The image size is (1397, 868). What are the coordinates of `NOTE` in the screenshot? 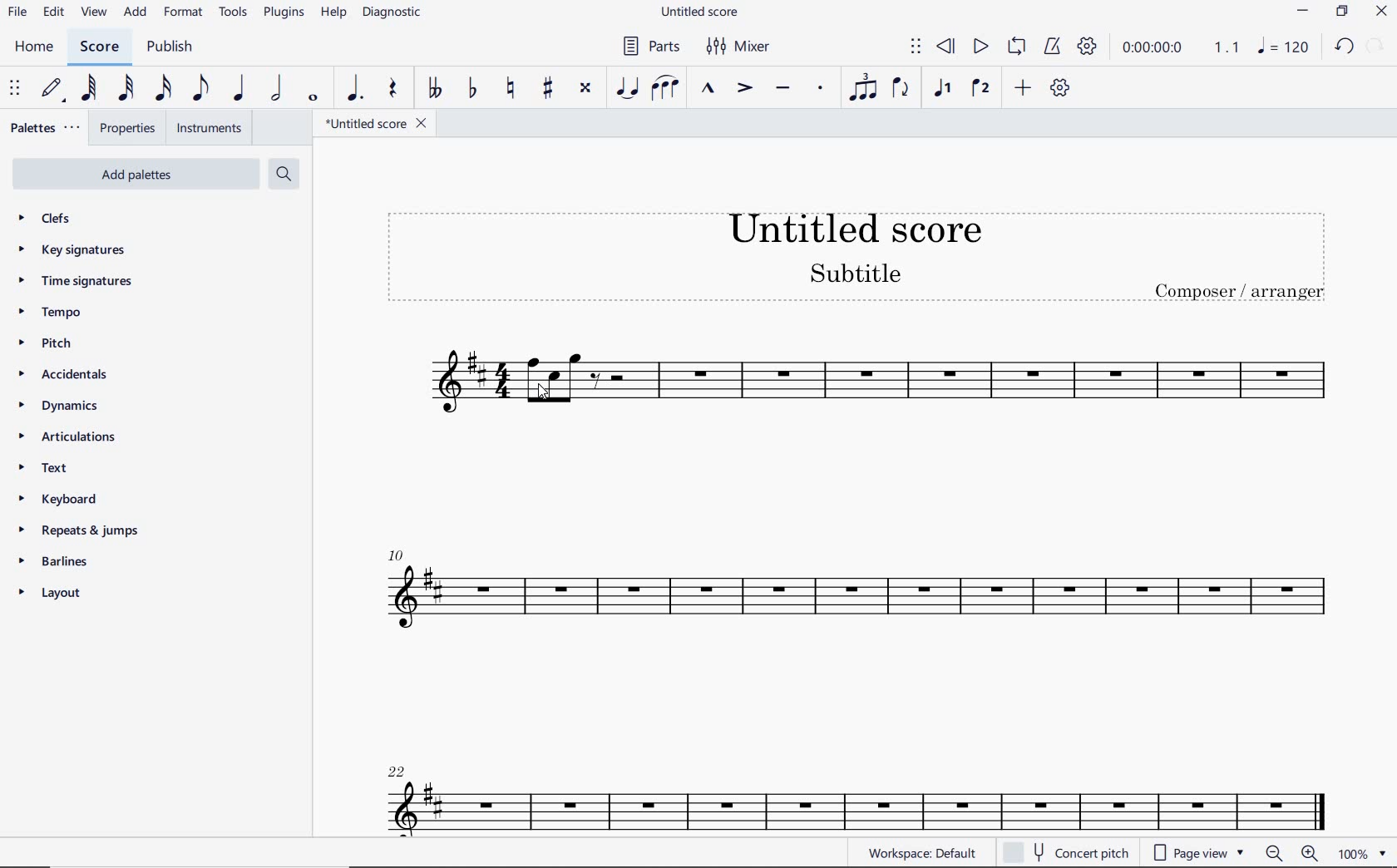 It's located at (1282, 47).